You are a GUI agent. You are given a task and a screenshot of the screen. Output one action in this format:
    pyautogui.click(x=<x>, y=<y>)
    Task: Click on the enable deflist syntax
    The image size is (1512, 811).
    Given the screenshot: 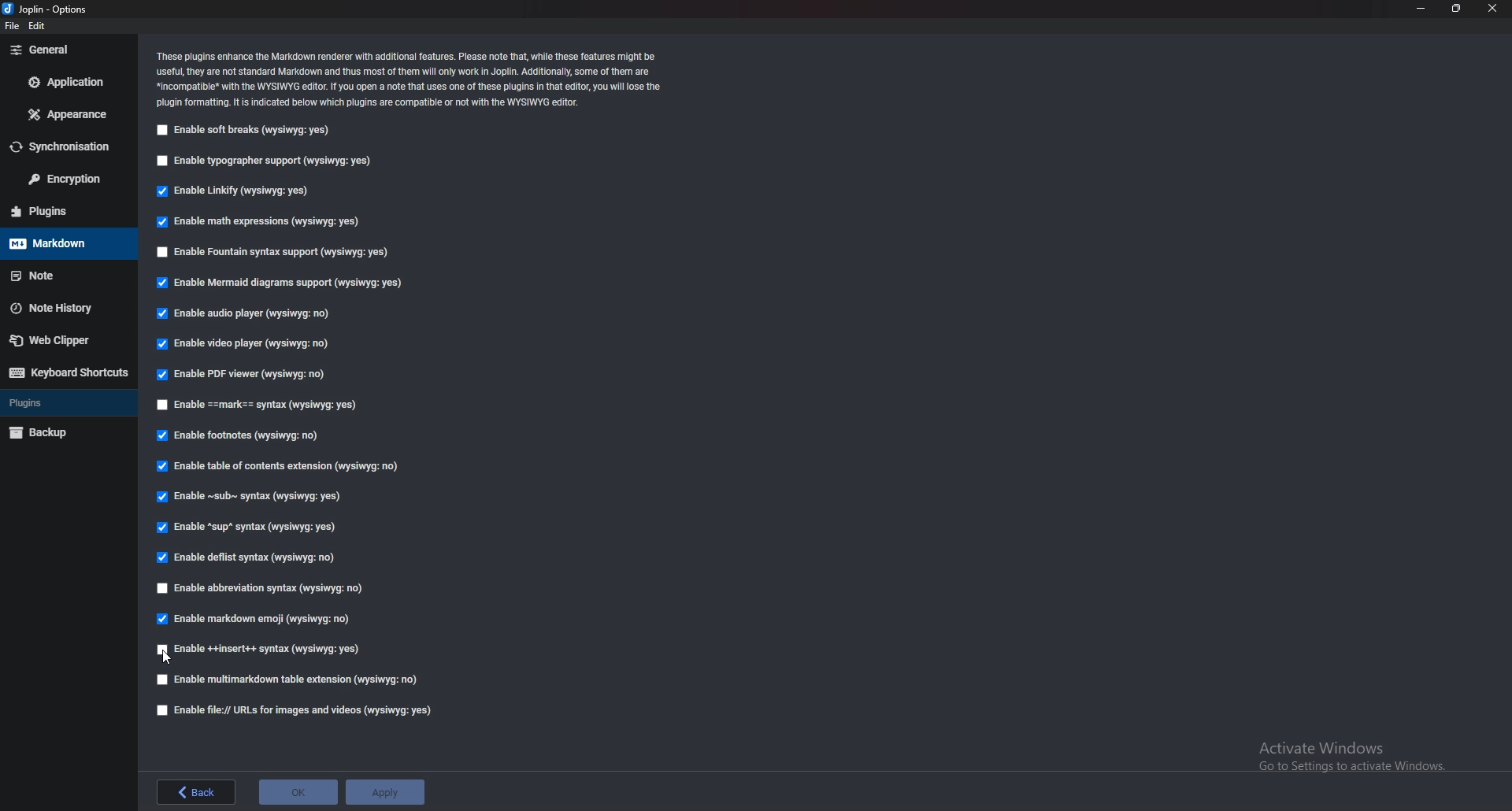 What is the action you would take?
    pyautogui.click(x=251, y=559)
    